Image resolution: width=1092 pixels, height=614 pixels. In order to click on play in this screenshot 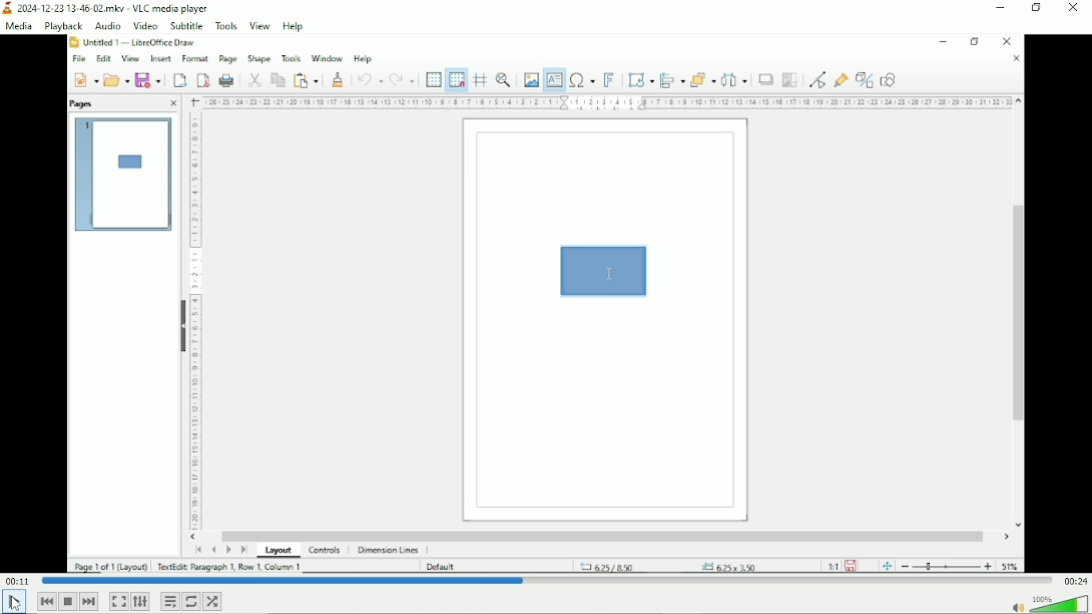, I will do `click(17, 602)`.